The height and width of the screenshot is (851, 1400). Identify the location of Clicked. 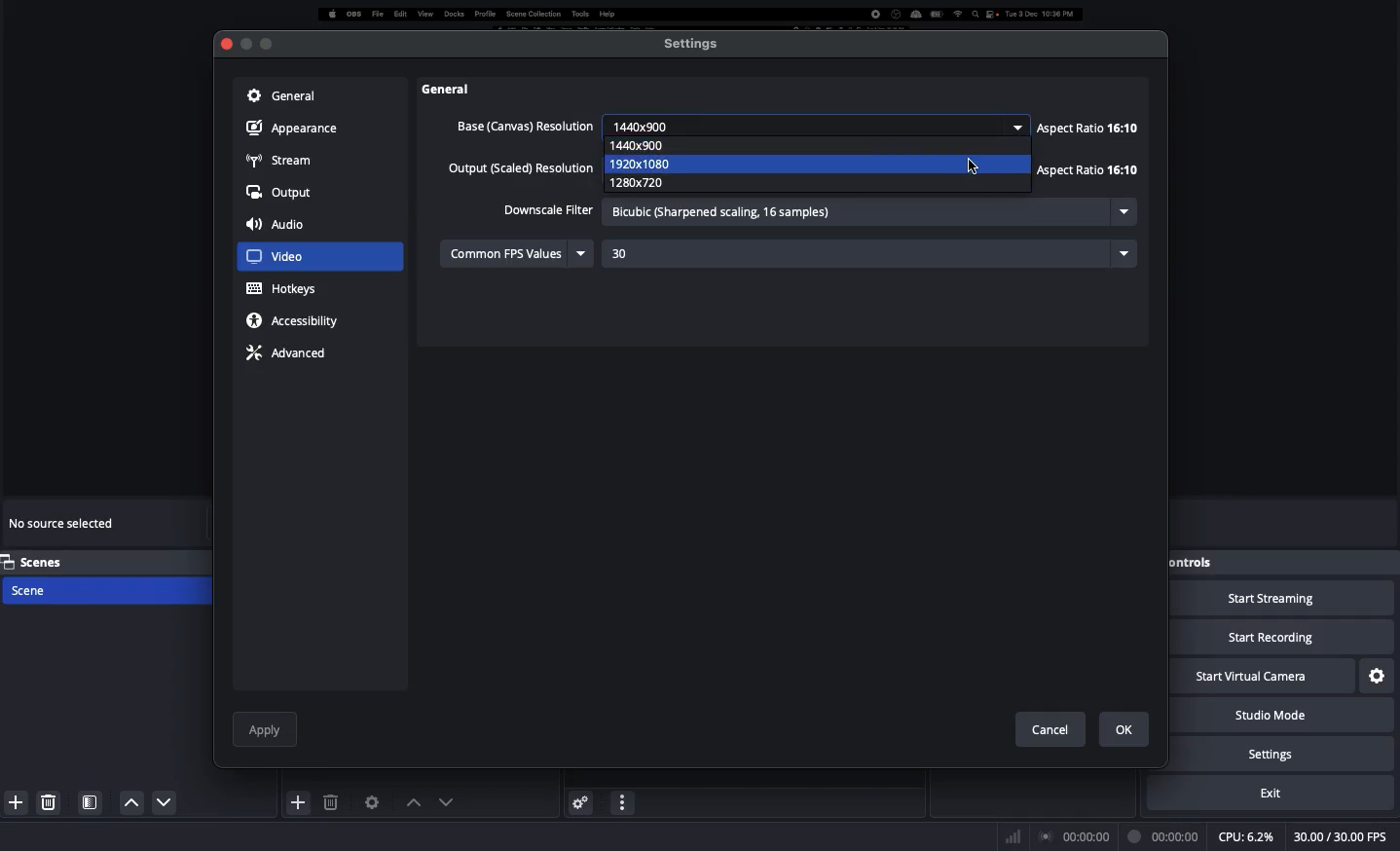
(287, 257).